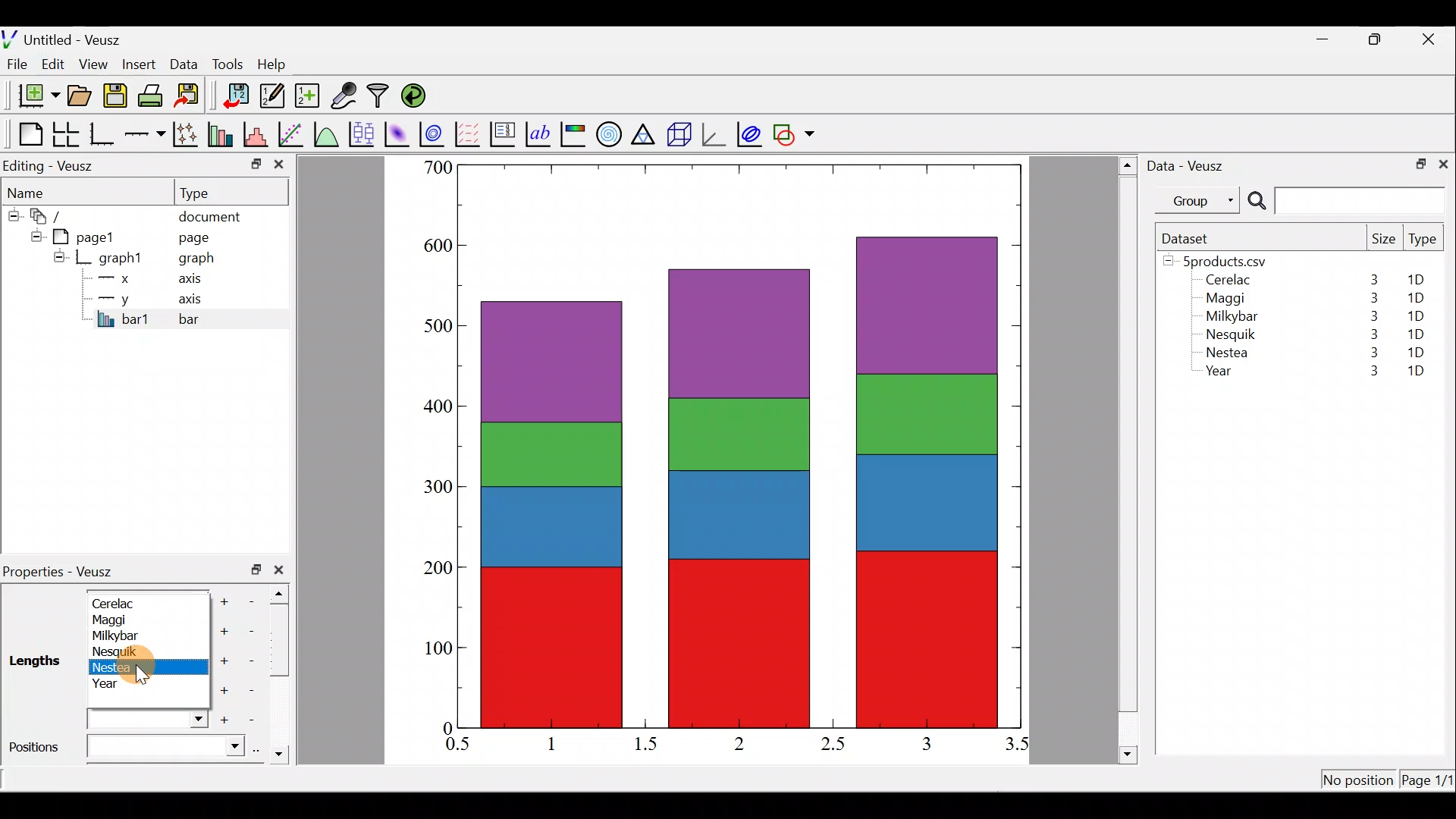 Image resolution: width=1456 pixels, height=819 pixels. I want to click on Milkybar, so click(119, 635).